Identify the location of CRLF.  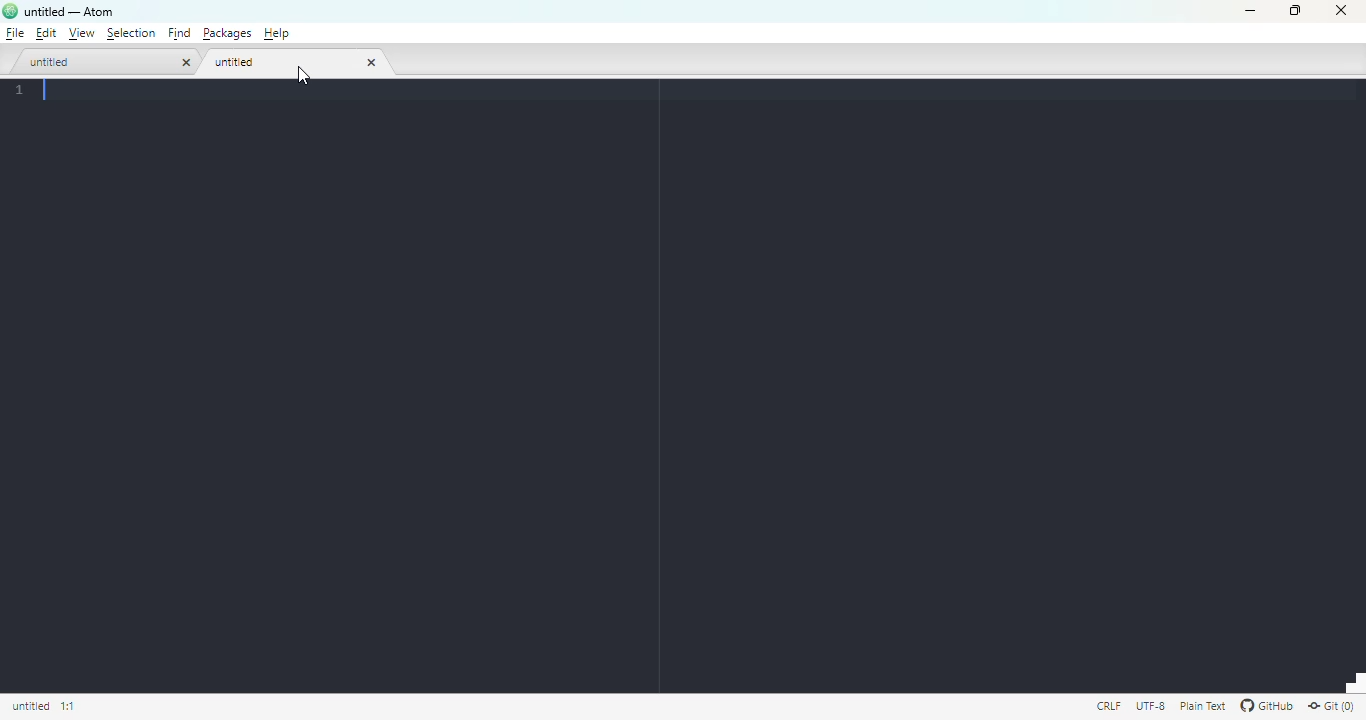
(1108, 705).